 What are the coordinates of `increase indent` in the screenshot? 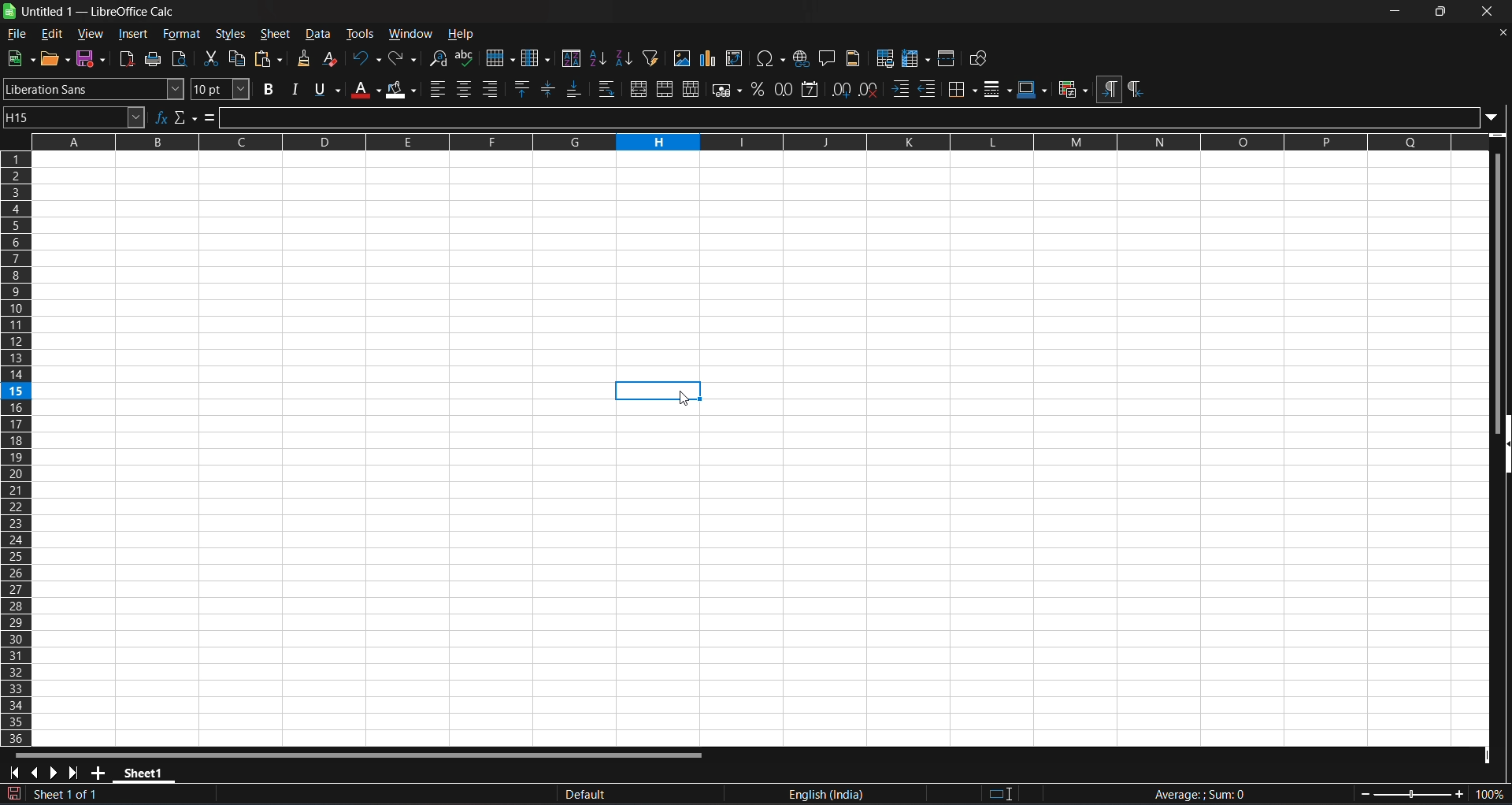 It's located at (900, 88).